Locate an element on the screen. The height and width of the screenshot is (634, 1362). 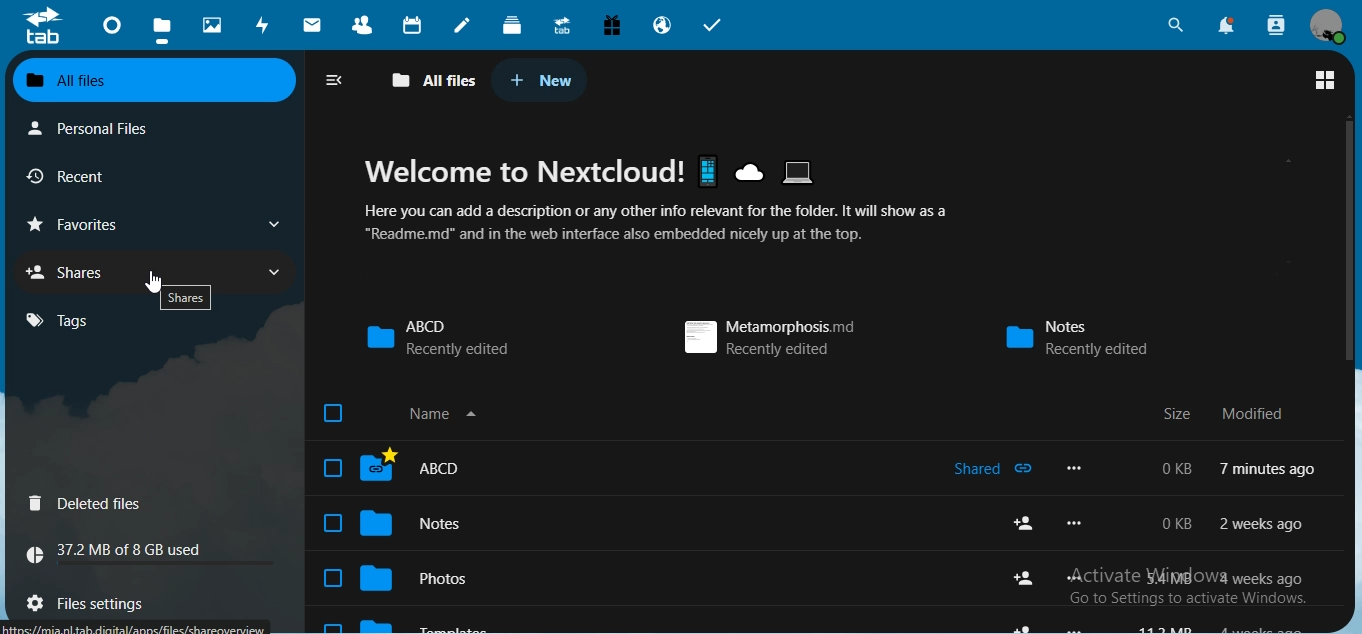
text is located at coordinates (125, 553).